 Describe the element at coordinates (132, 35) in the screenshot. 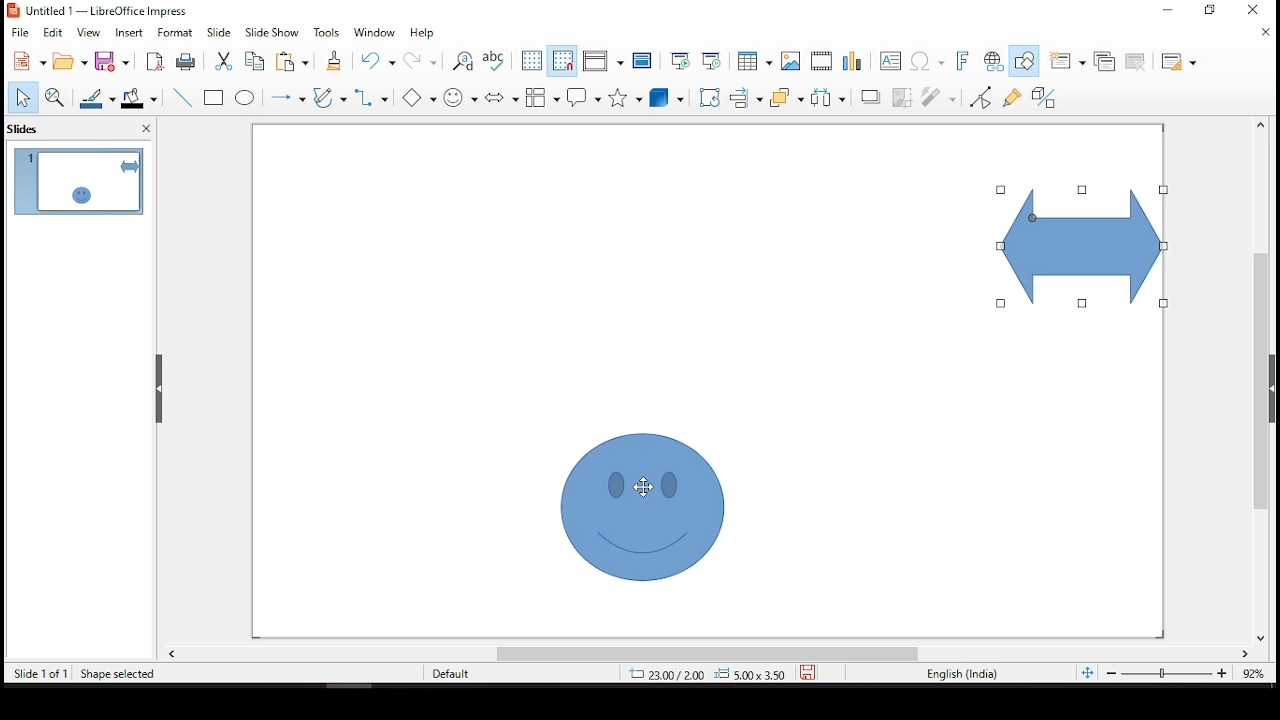

I see `insert` at that location.